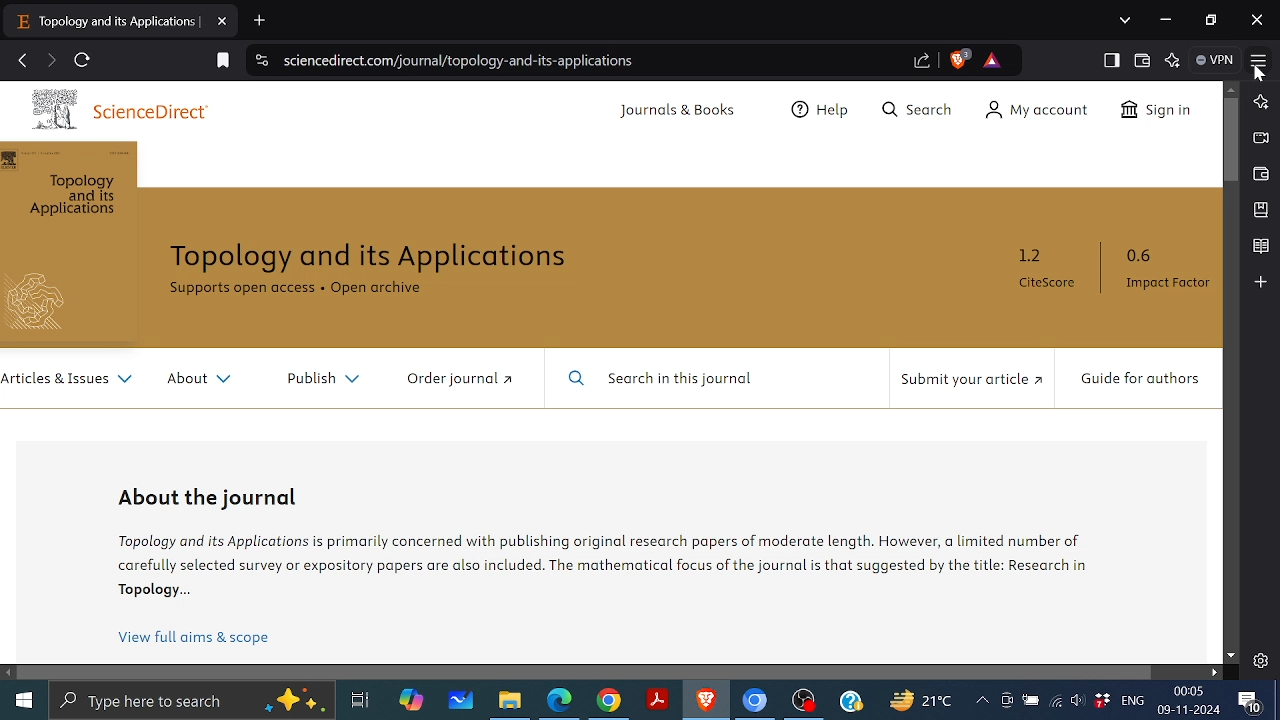 This screenshot has height=720, width=1280. I want to click on Order journal, so click(465, 378).